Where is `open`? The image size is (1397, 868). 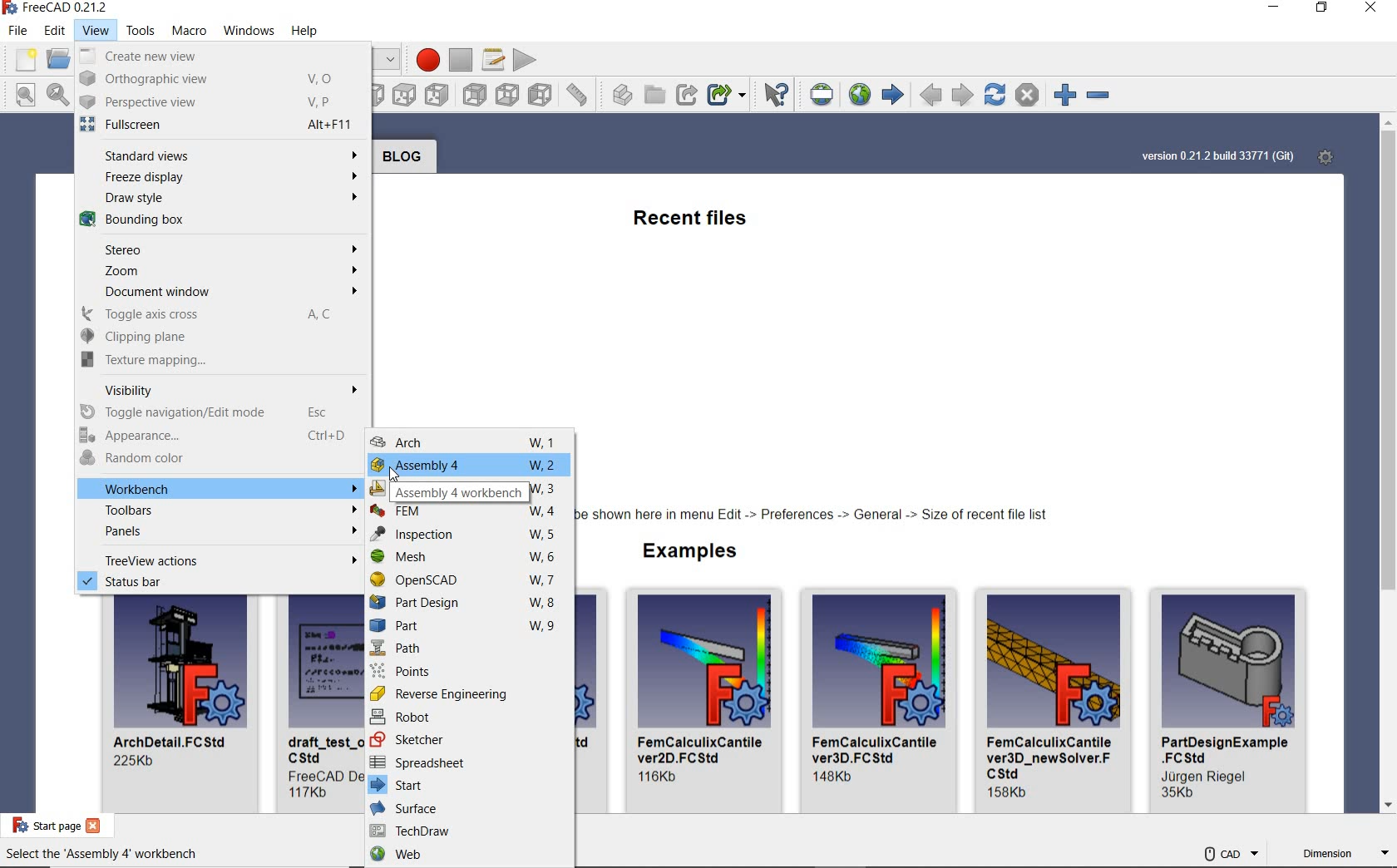 open is located at coordinates (60, 62).